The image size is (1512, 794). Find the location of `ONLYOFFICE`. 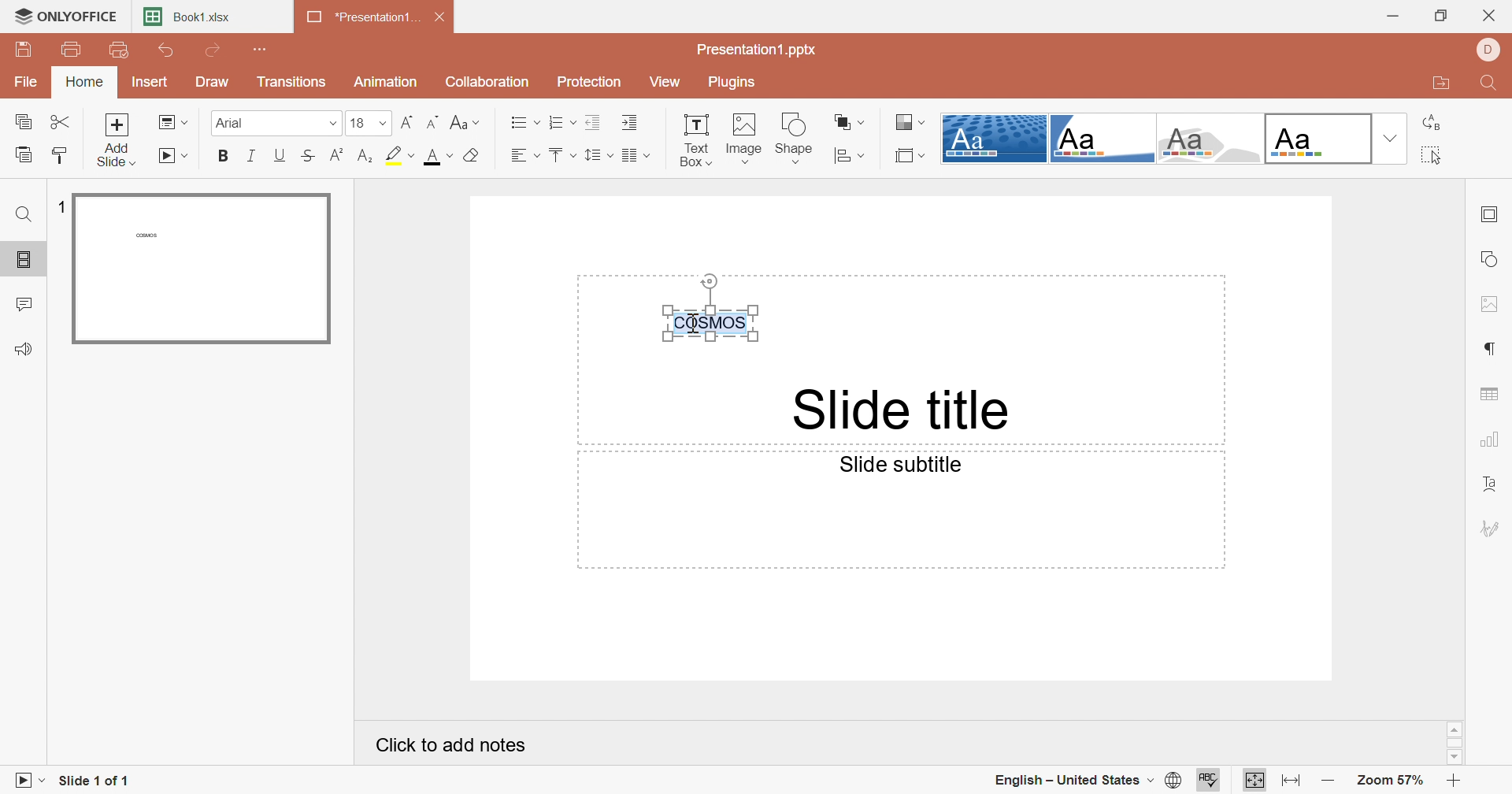

ONLYOFFICE is located at coordinates (69, 18).